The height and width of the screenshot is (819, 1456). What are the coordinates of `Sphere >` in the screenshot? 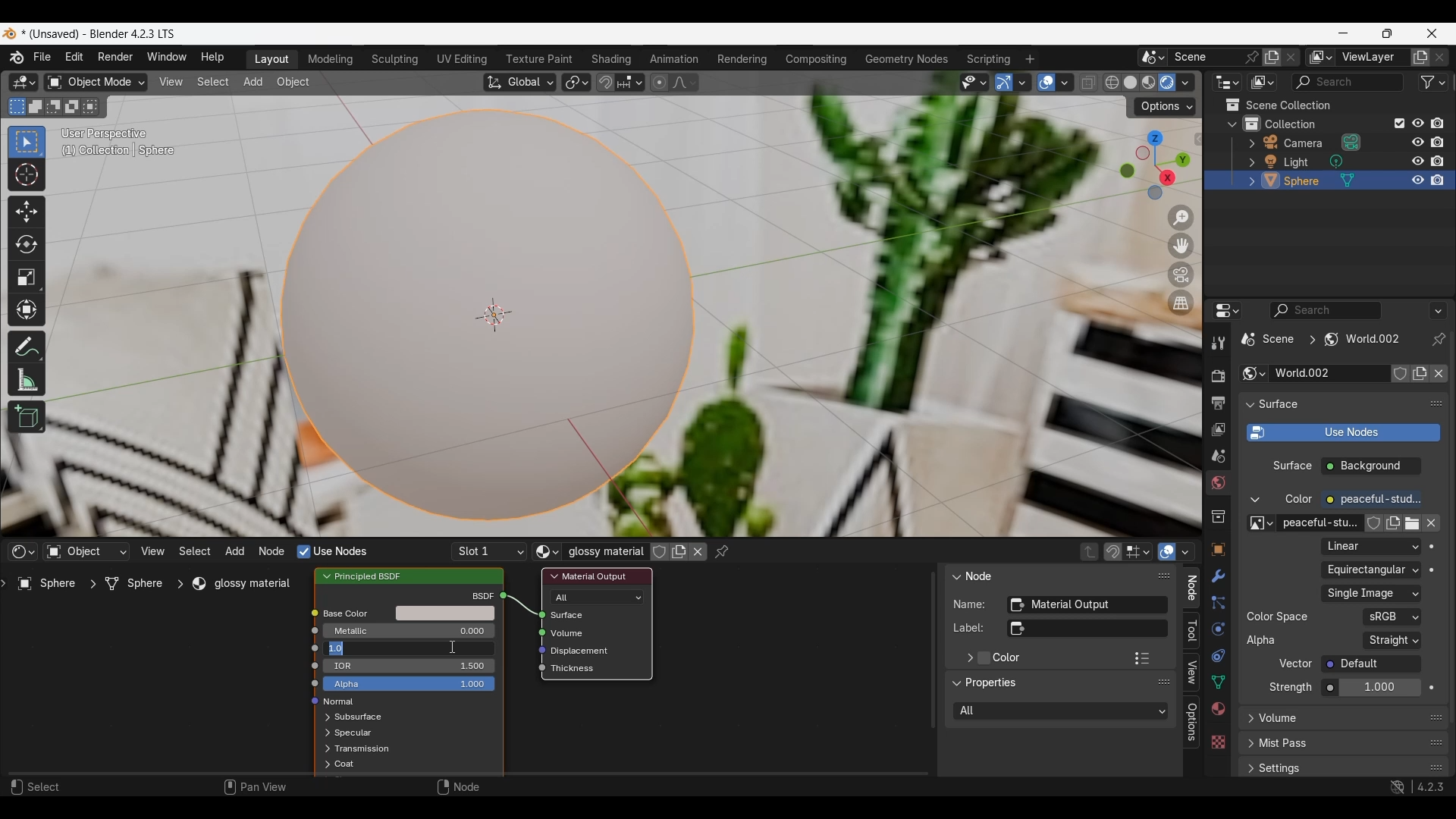 It's located at (142, 583).